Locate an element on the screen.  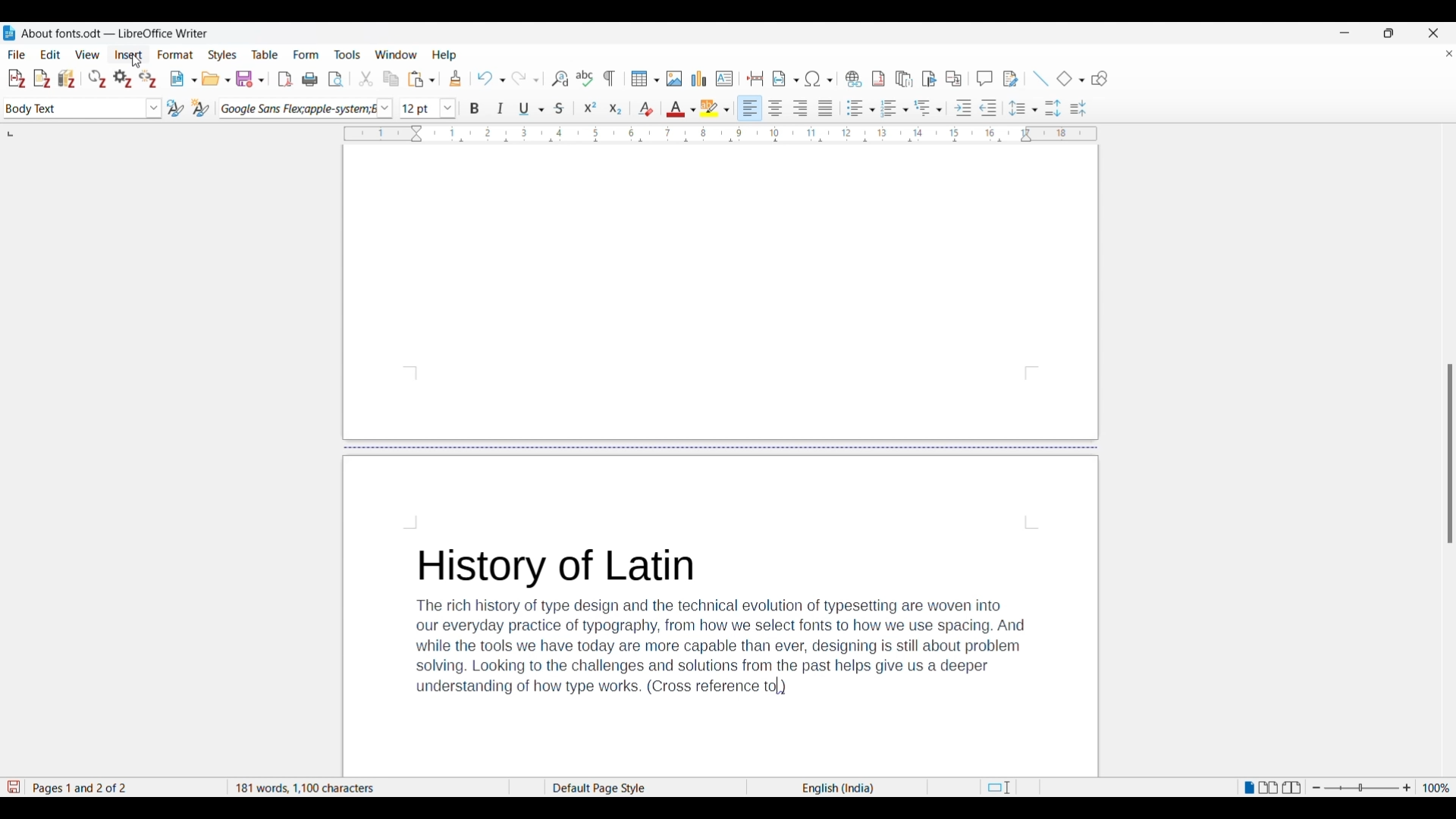
Close software is located at coordinates (1433, 33).